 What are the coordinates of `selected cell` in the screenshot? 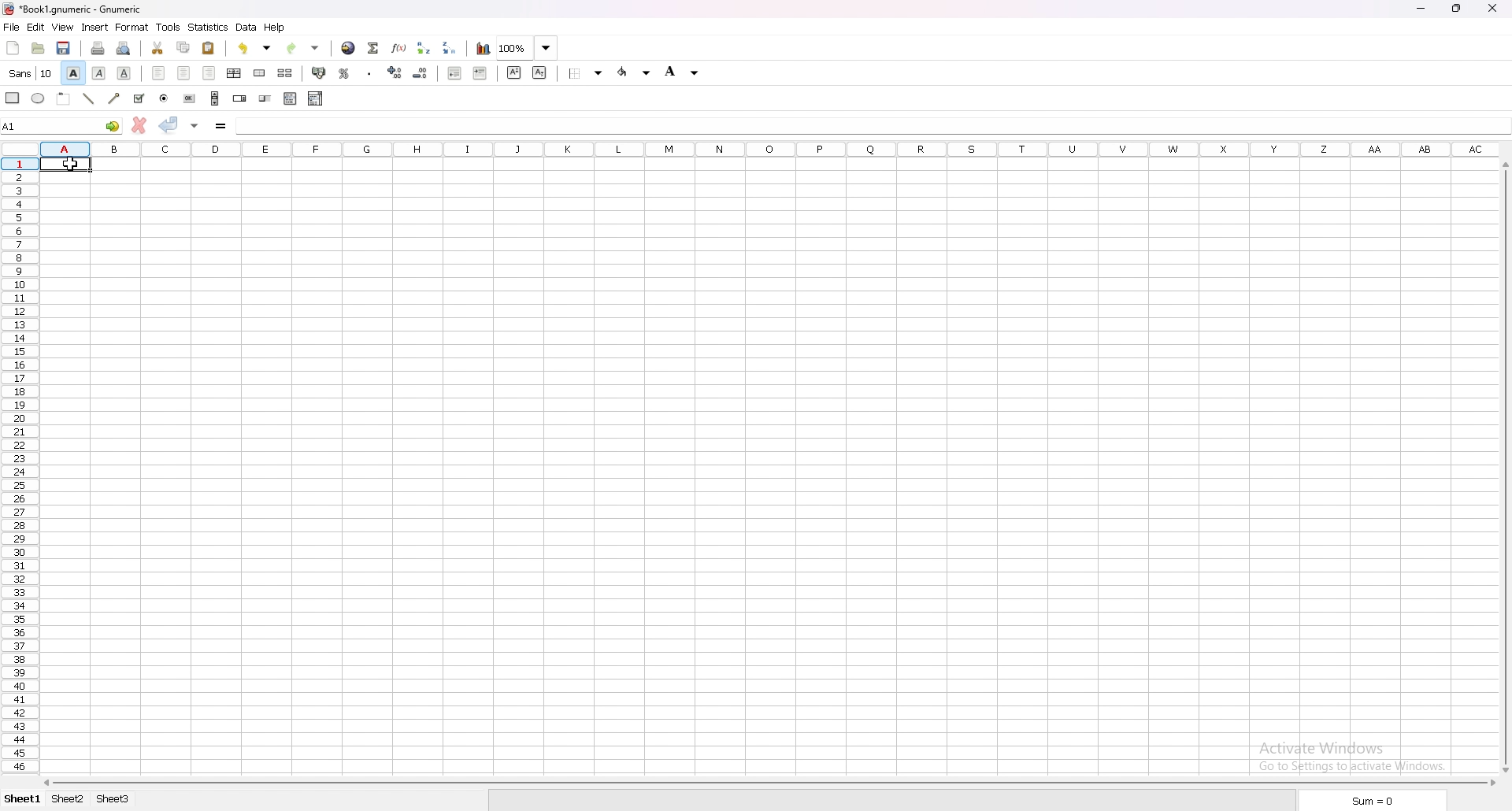 It's located at (69, 166).